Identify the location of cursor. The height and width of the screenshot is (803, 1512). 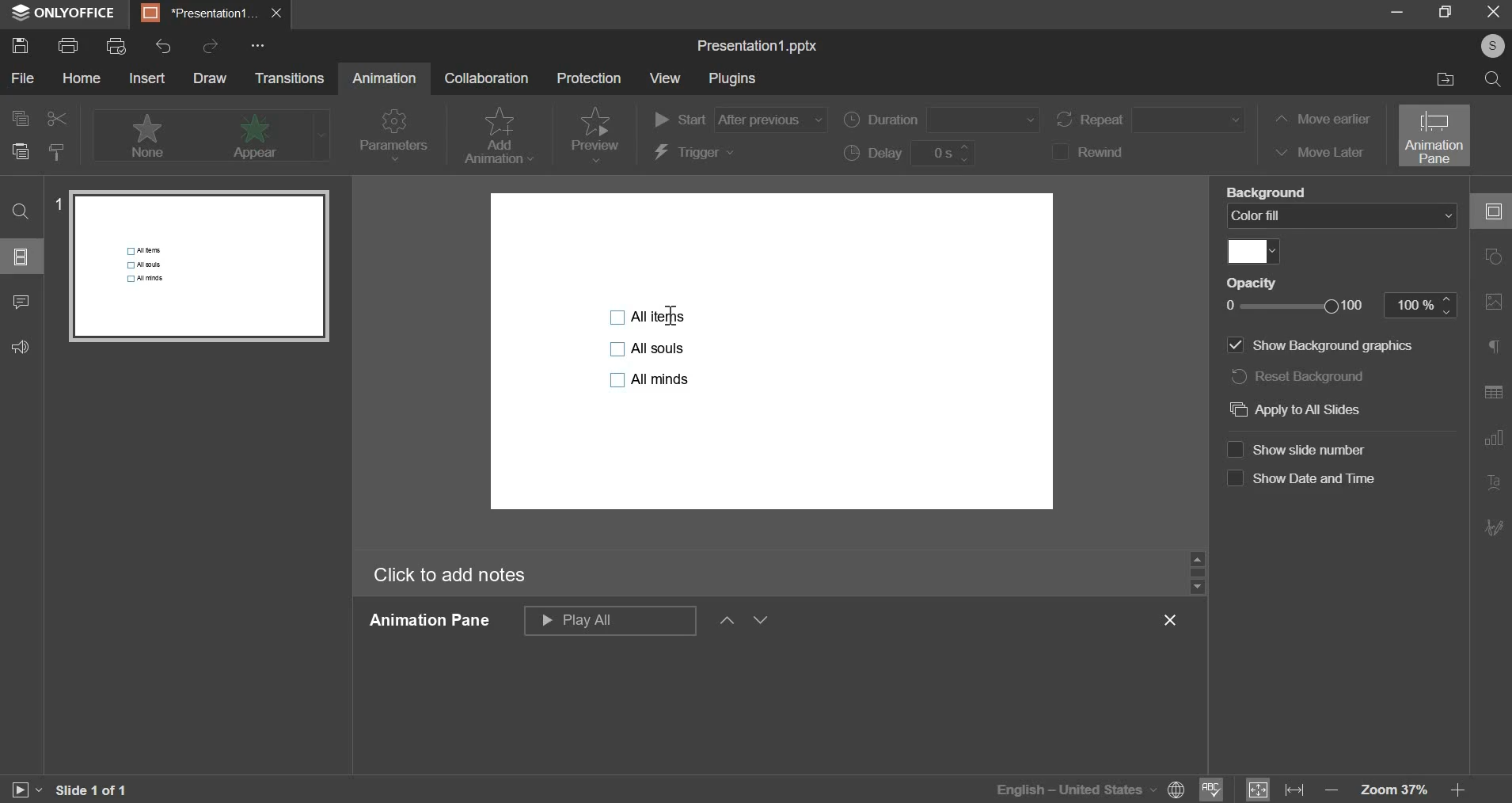
(674, 314).